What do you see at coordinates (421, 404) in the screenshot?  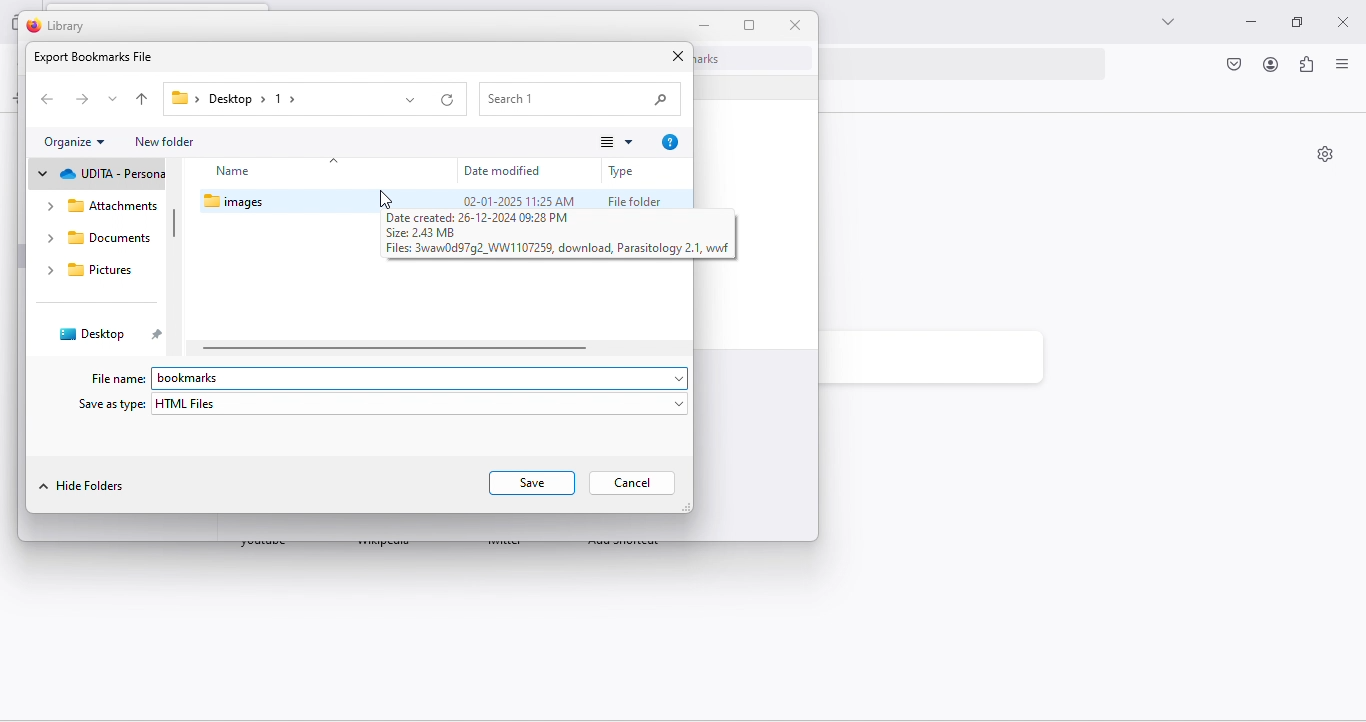 I see `html files` at bounding box center [421, 404].